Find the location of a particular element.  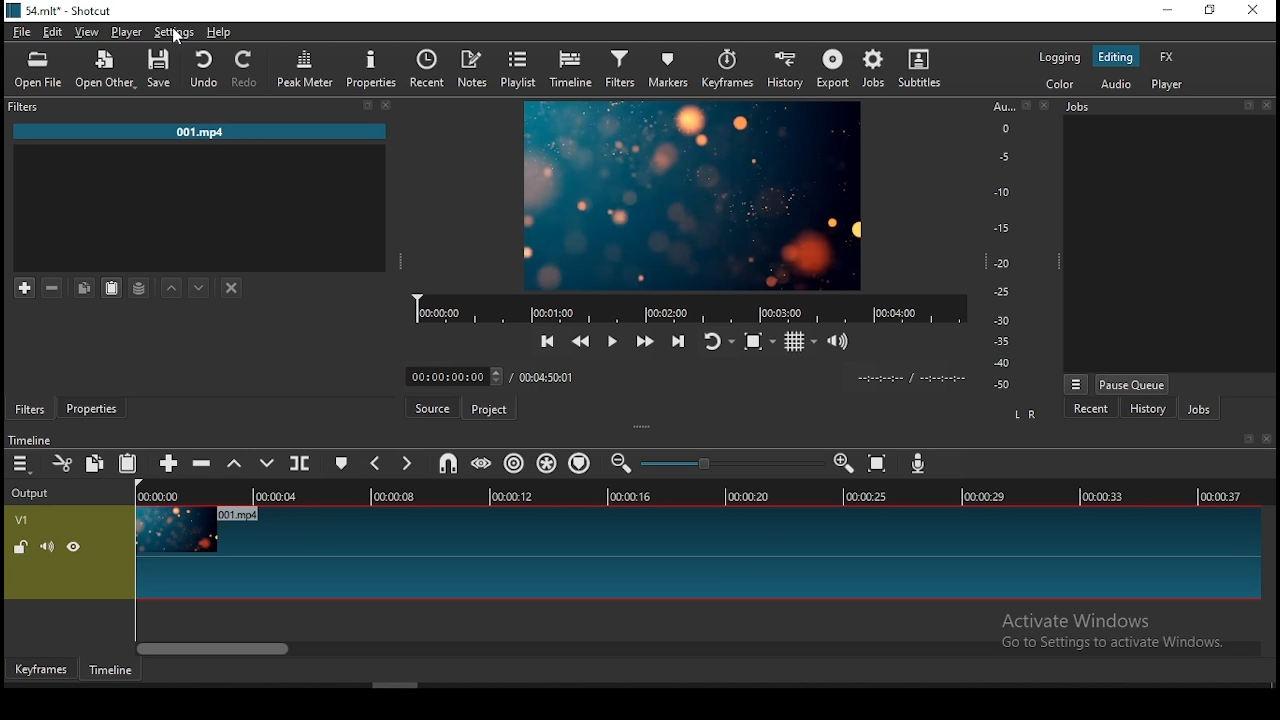

next marker is located at coordinates (404, 463).